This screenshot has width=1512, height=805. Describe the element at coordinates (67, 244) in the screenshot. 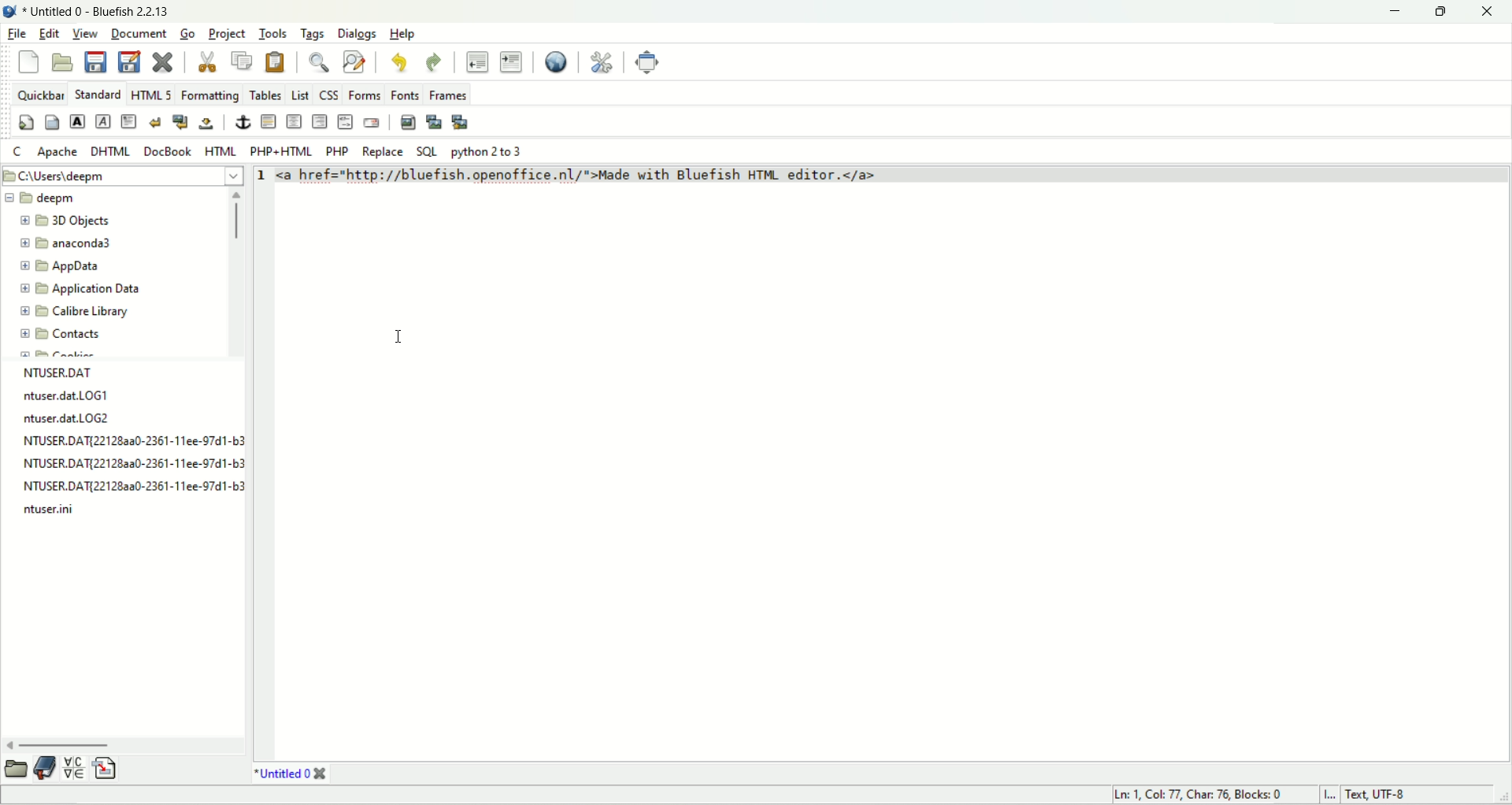

I see `anaconda` at that location.